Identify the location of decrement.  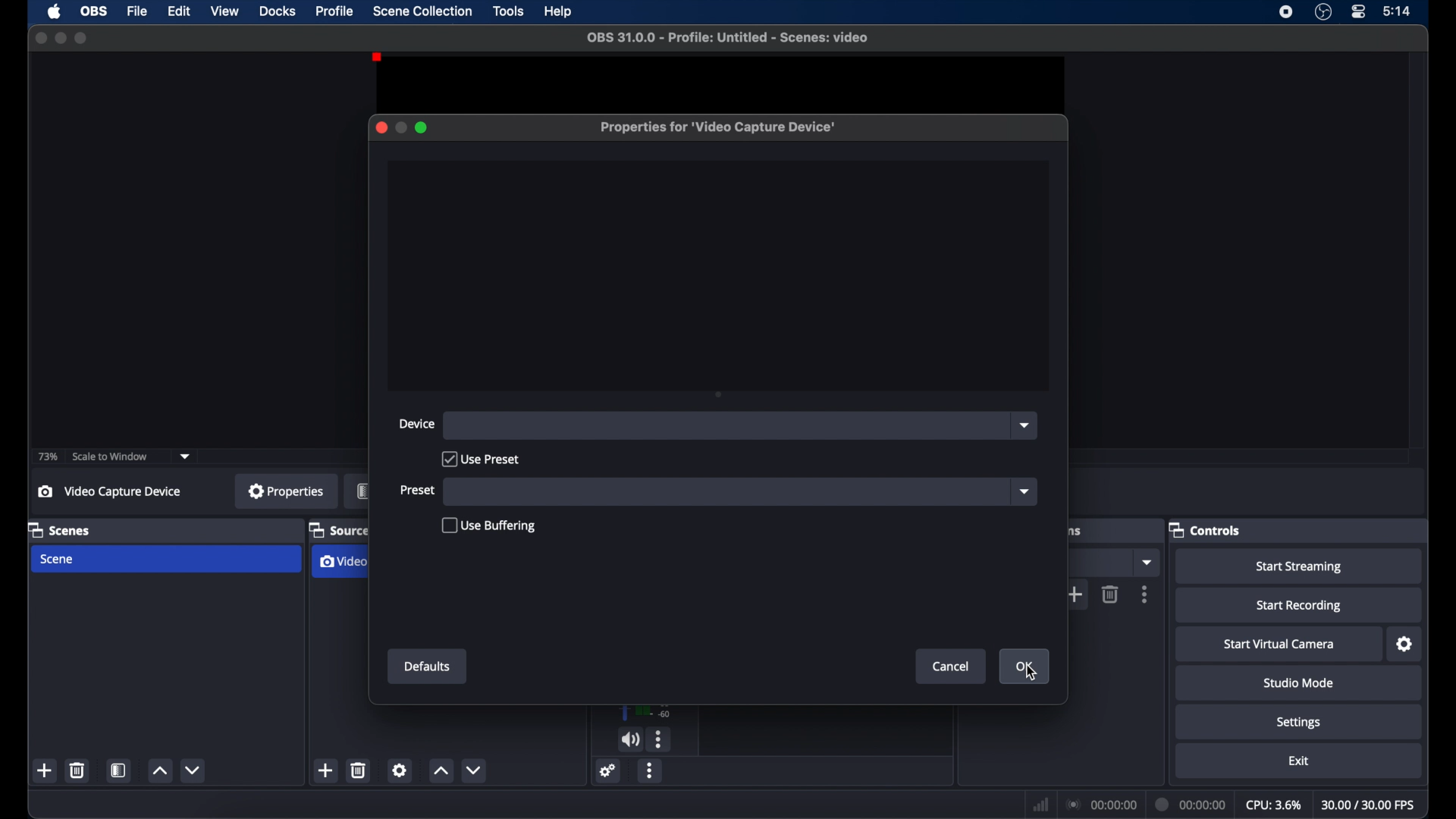
(474, 770).